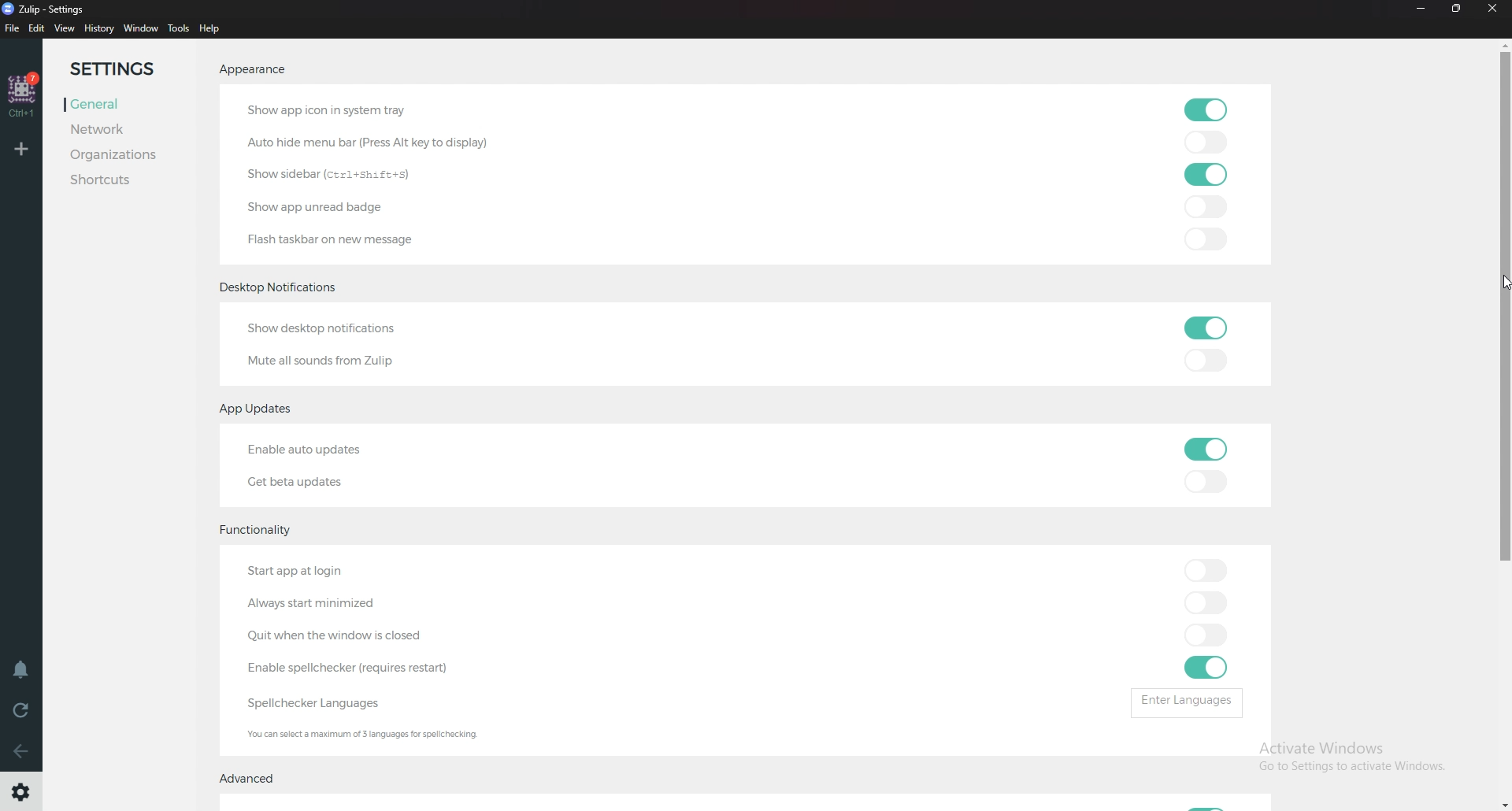  What do you see at coordinates (117, 130) in the screenshot?
I see `Network` at bounding box center [117, 130].